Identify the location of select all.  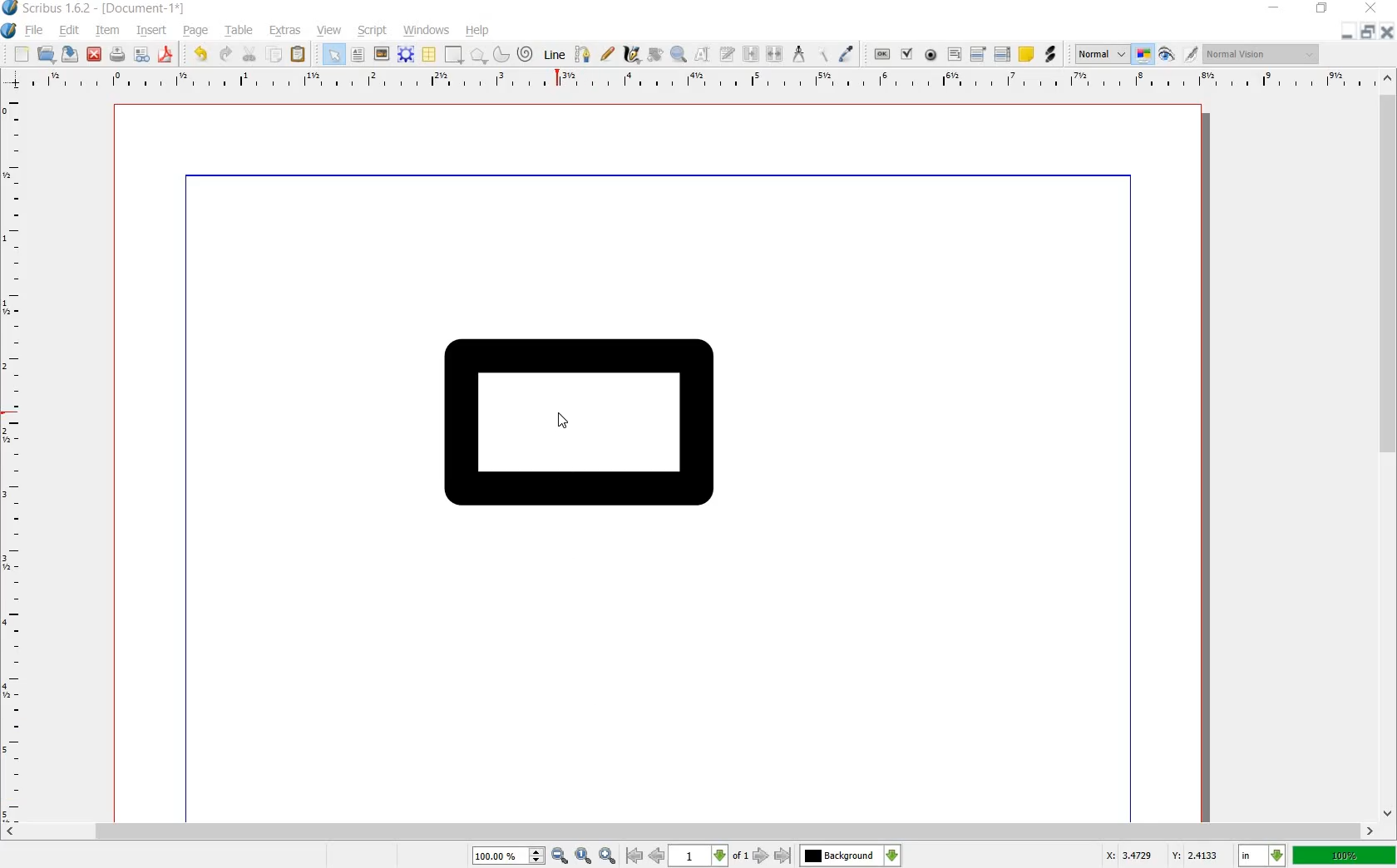
(333, 55).